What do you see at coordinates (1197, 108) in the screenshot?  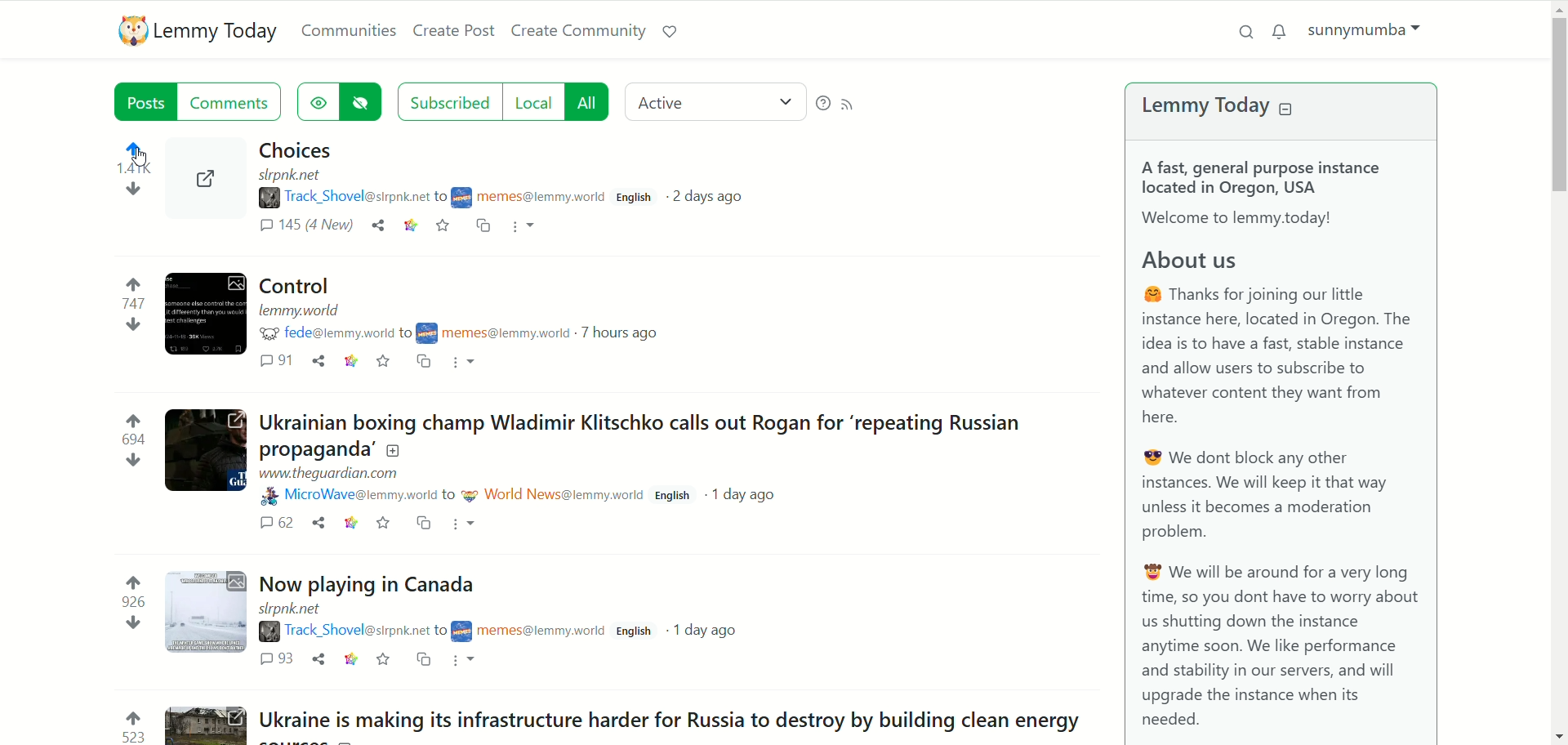 I see `lemmy today` at bounding box center [1197, 108].